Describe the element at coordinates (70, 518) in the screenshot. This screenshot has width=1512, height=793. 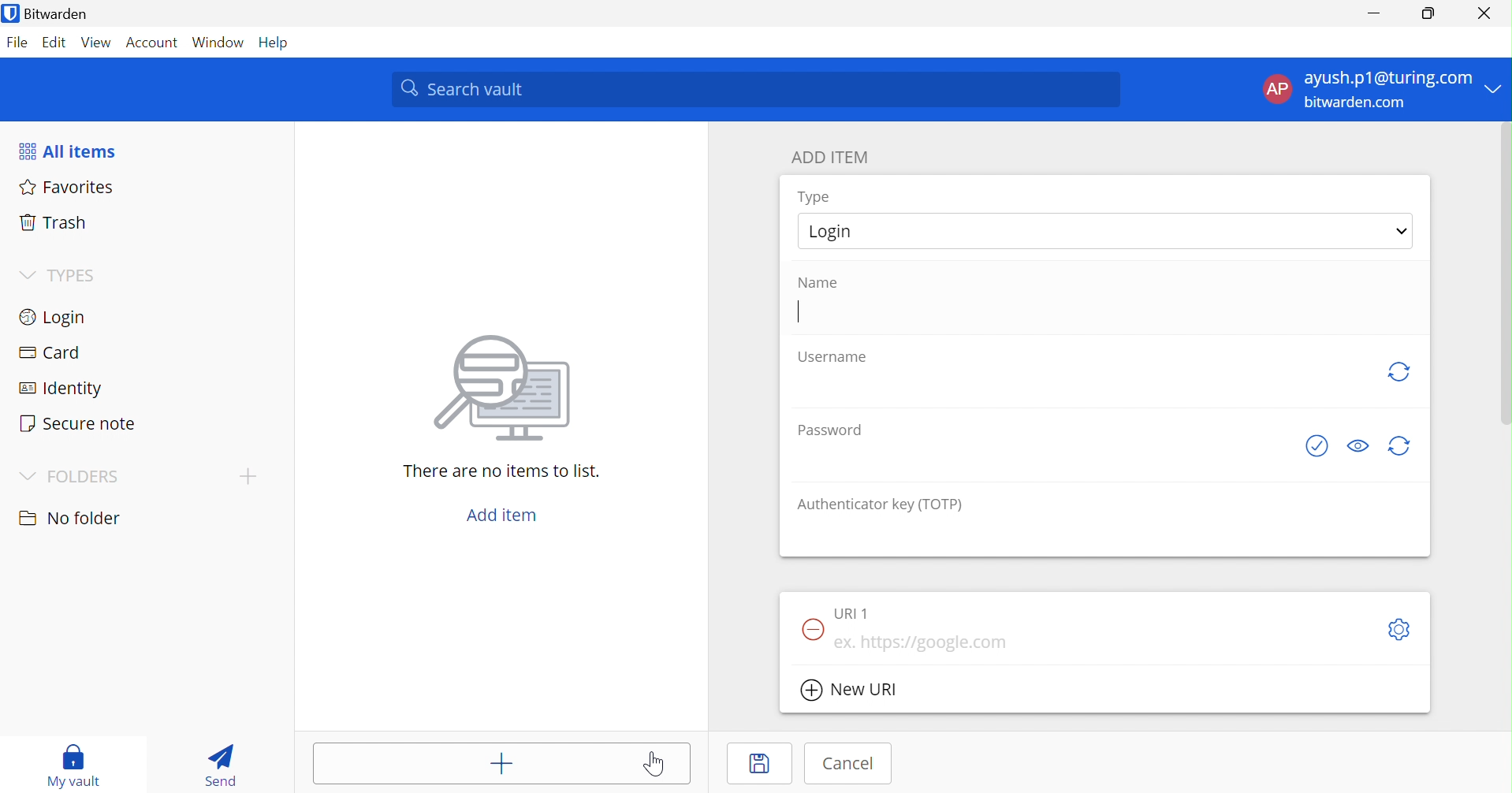
I see `No folder` at that location.